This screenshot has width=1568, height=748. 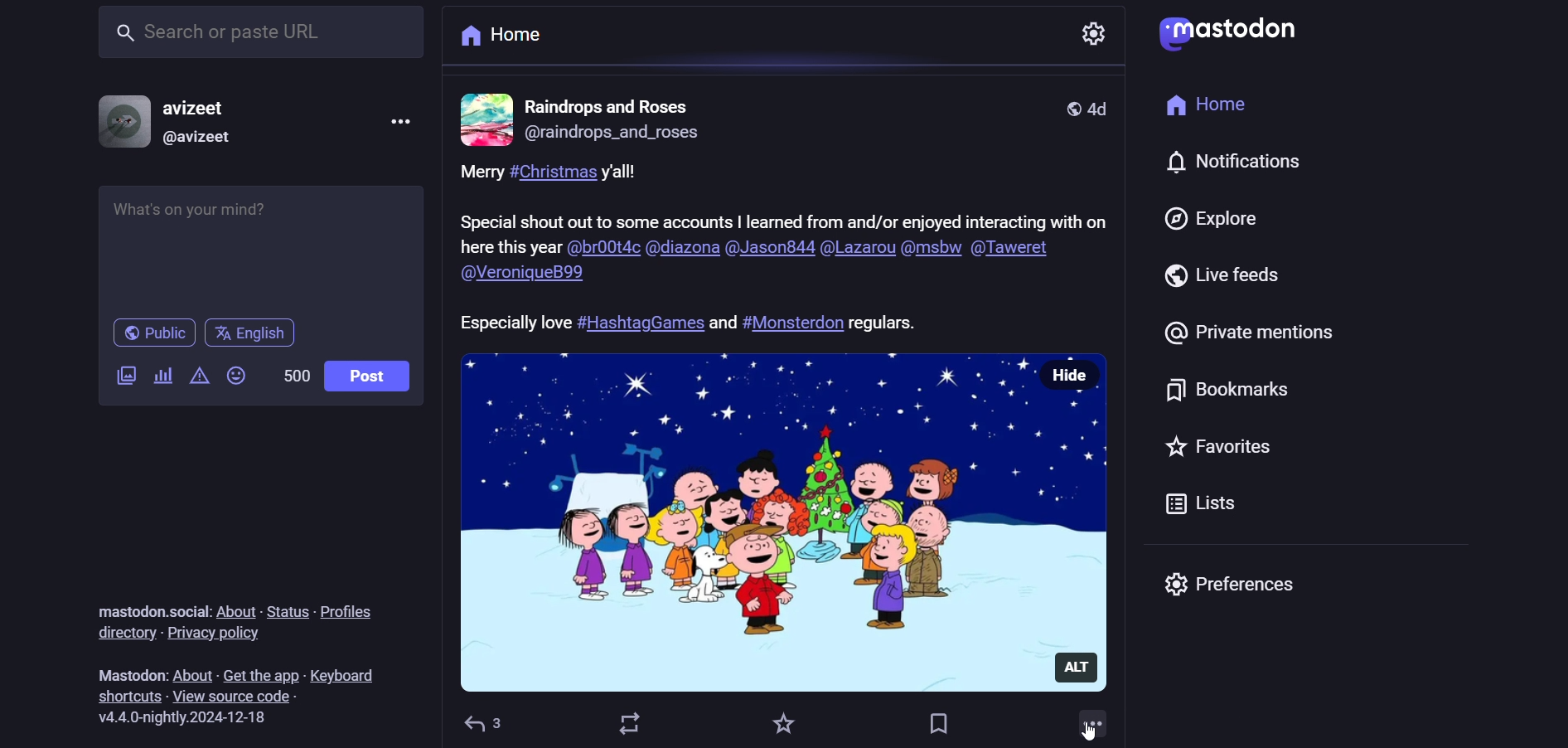 What do you see at coordinates (746, 520) in the screenshot?
I see `post pic` at bounding box center [746, 520].